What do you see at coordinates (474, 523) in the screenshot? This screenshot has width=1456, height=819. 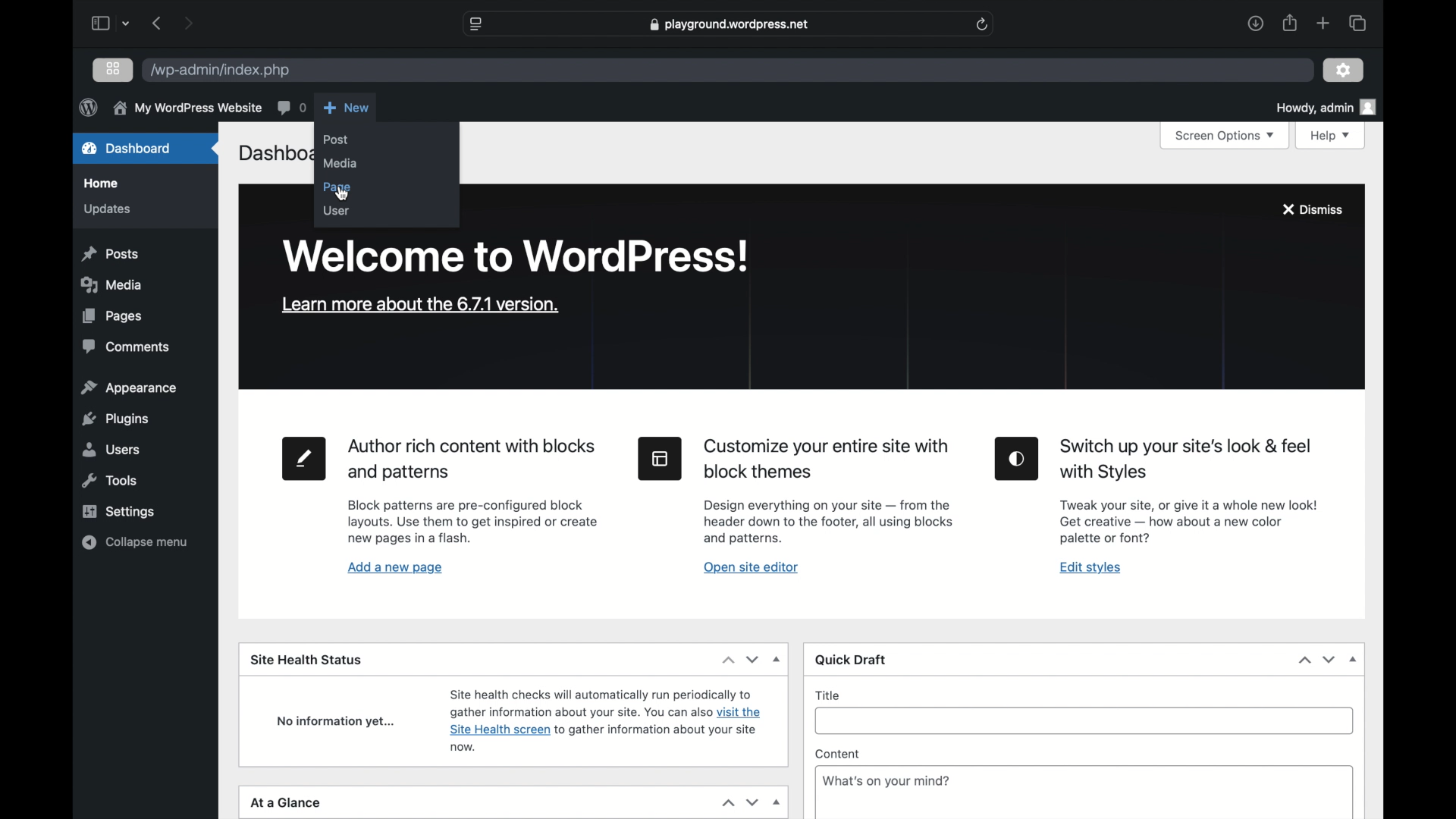 I see `Page tool information` at bounding box center [474, 523].